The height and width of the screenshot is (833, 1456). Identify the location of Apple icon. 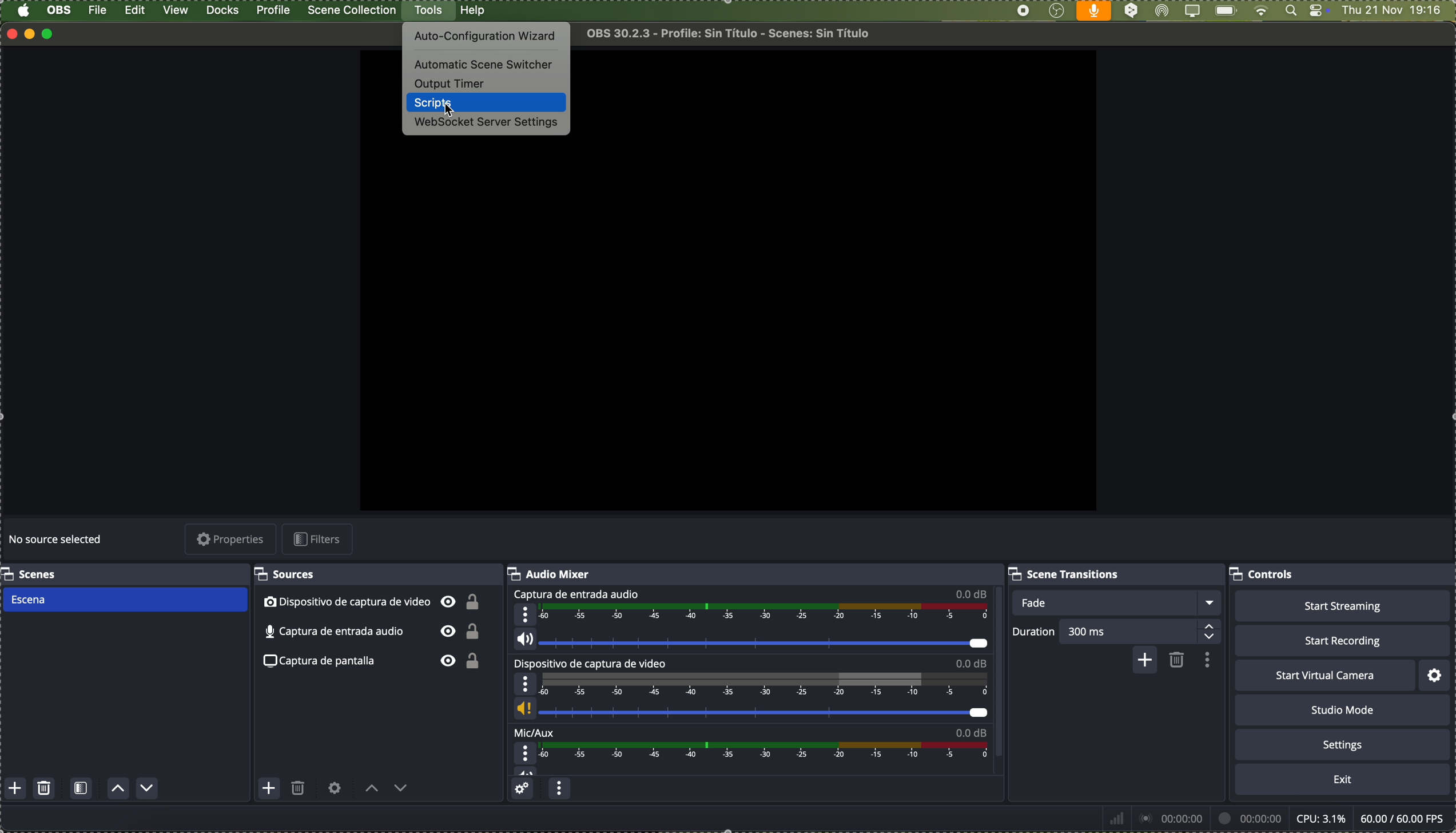
(23, 11).